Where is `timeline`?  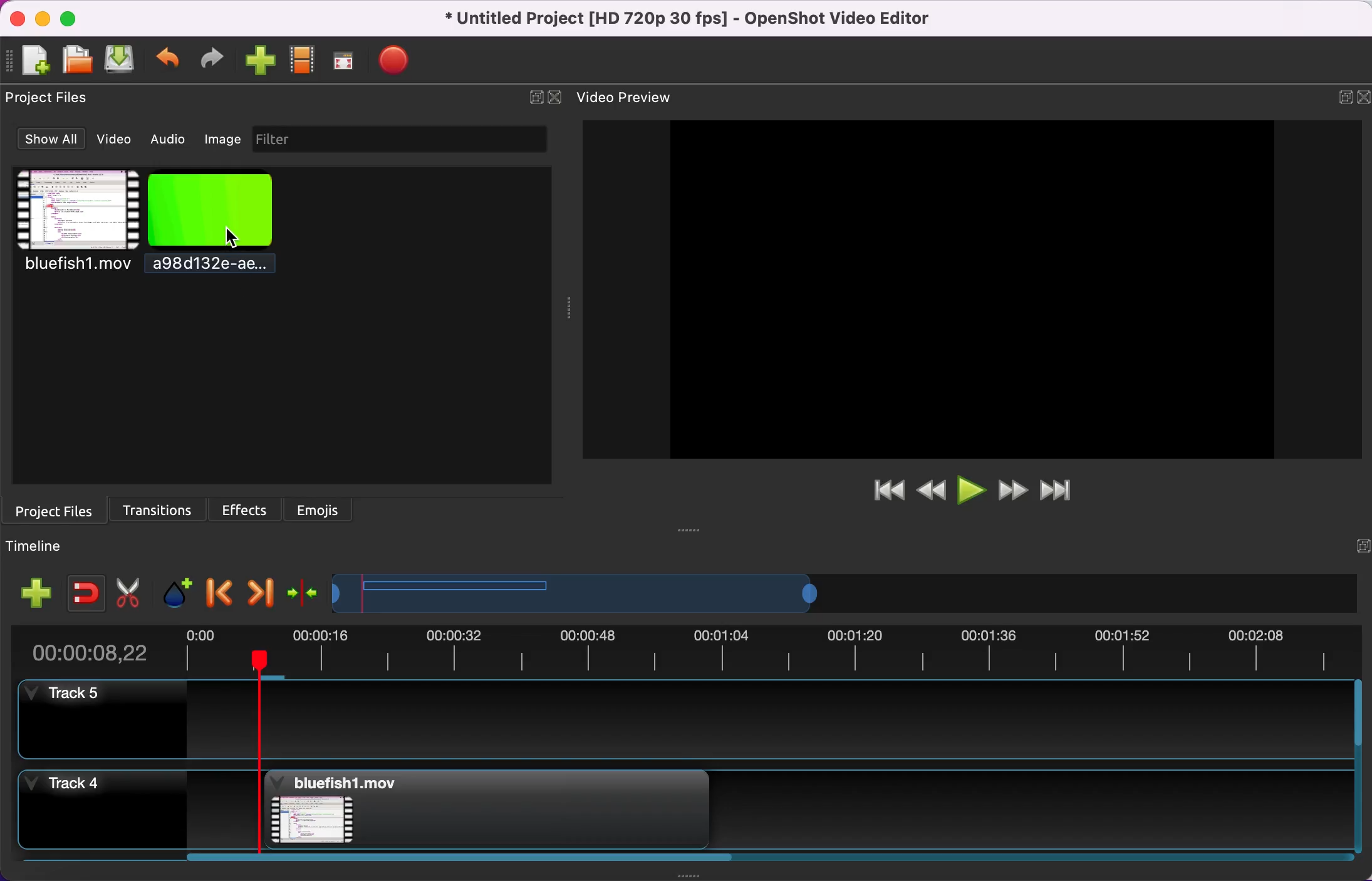
timeline is located at coordinates (721, 592).